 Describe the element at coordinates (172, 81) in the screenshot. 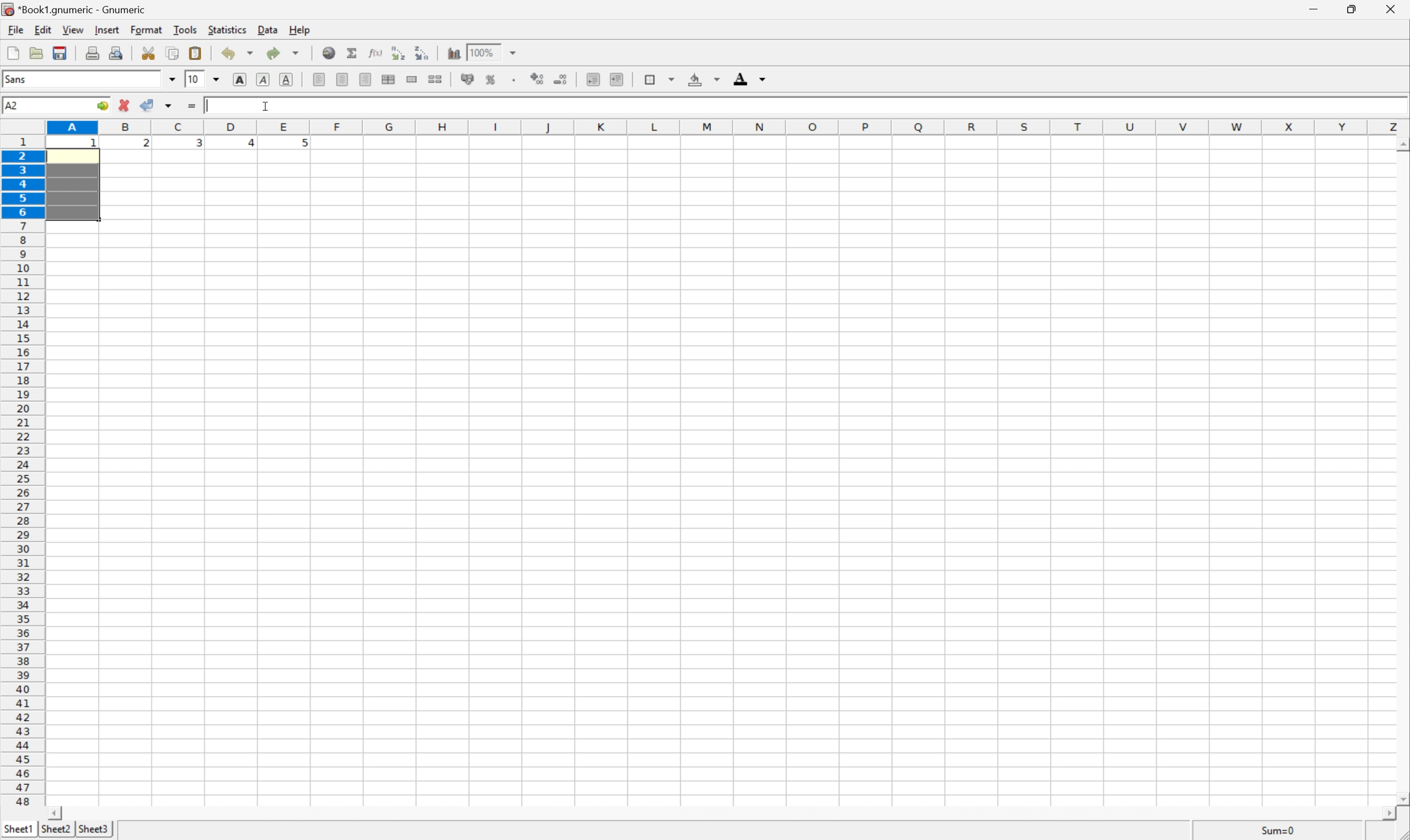

I see `drop down` at that location.